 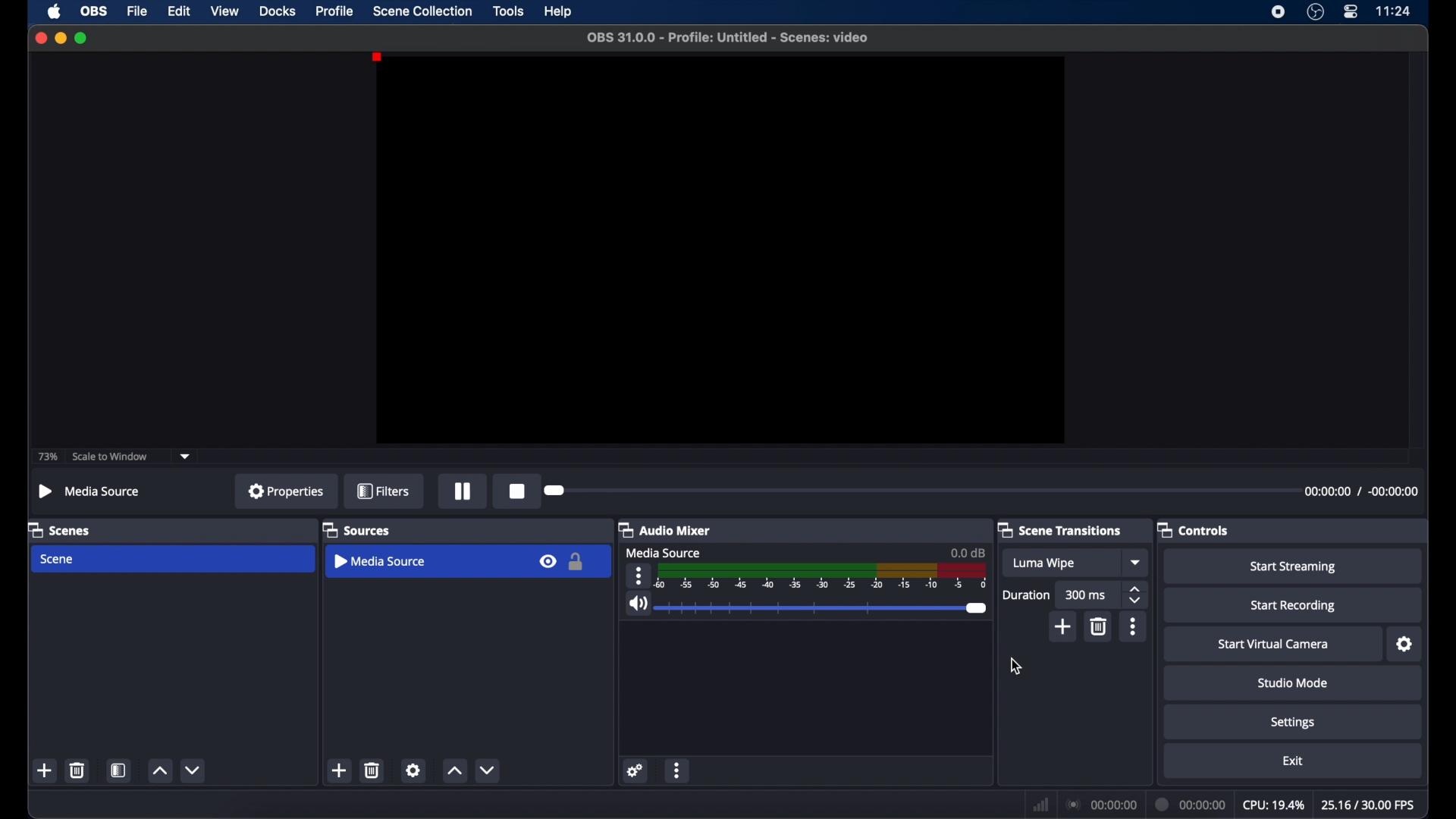 What do you see at coordinates (1314, 12) in the screenshot?
I see `obs studio` at bounding box center [1314, 12].